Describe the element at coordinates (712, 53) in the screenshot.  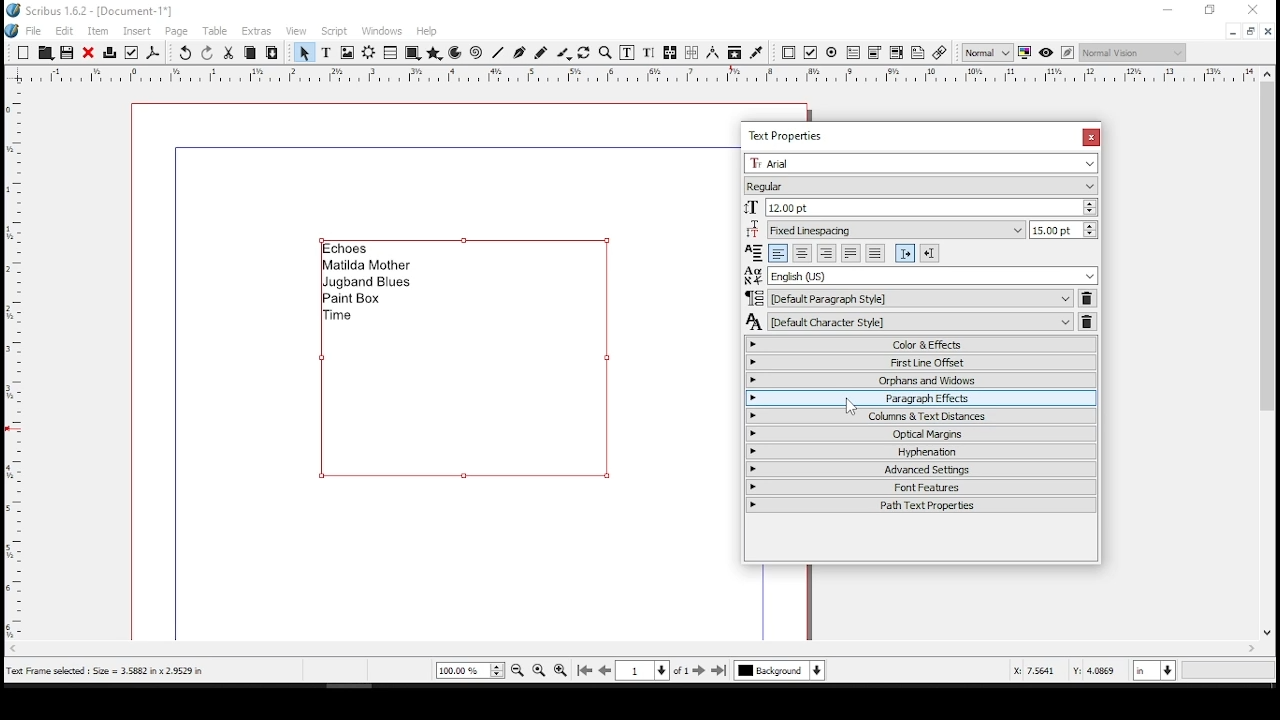
I see `measurements` at that location.